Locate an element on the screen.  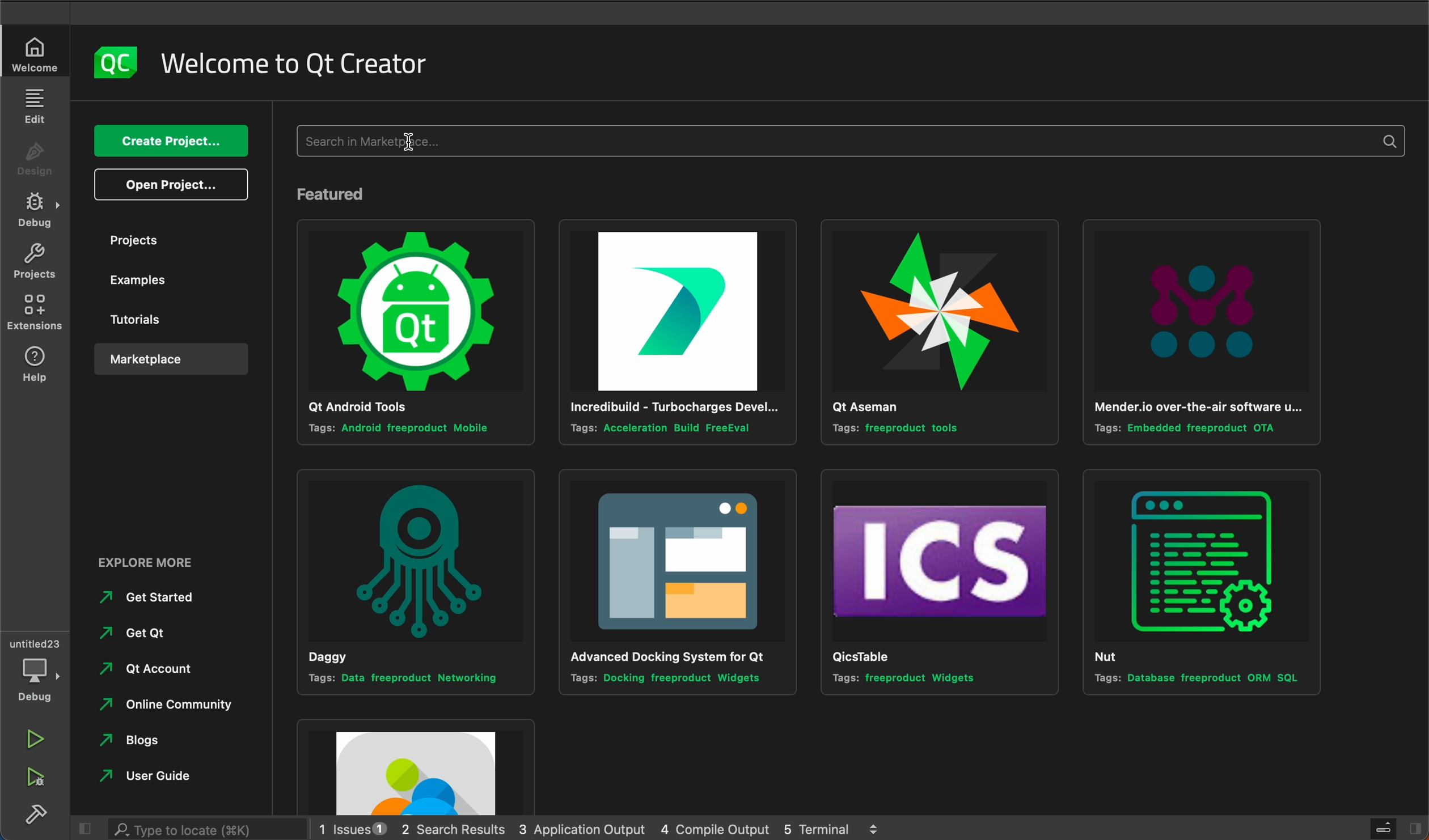
welcome is located at coordinates (301, 63).